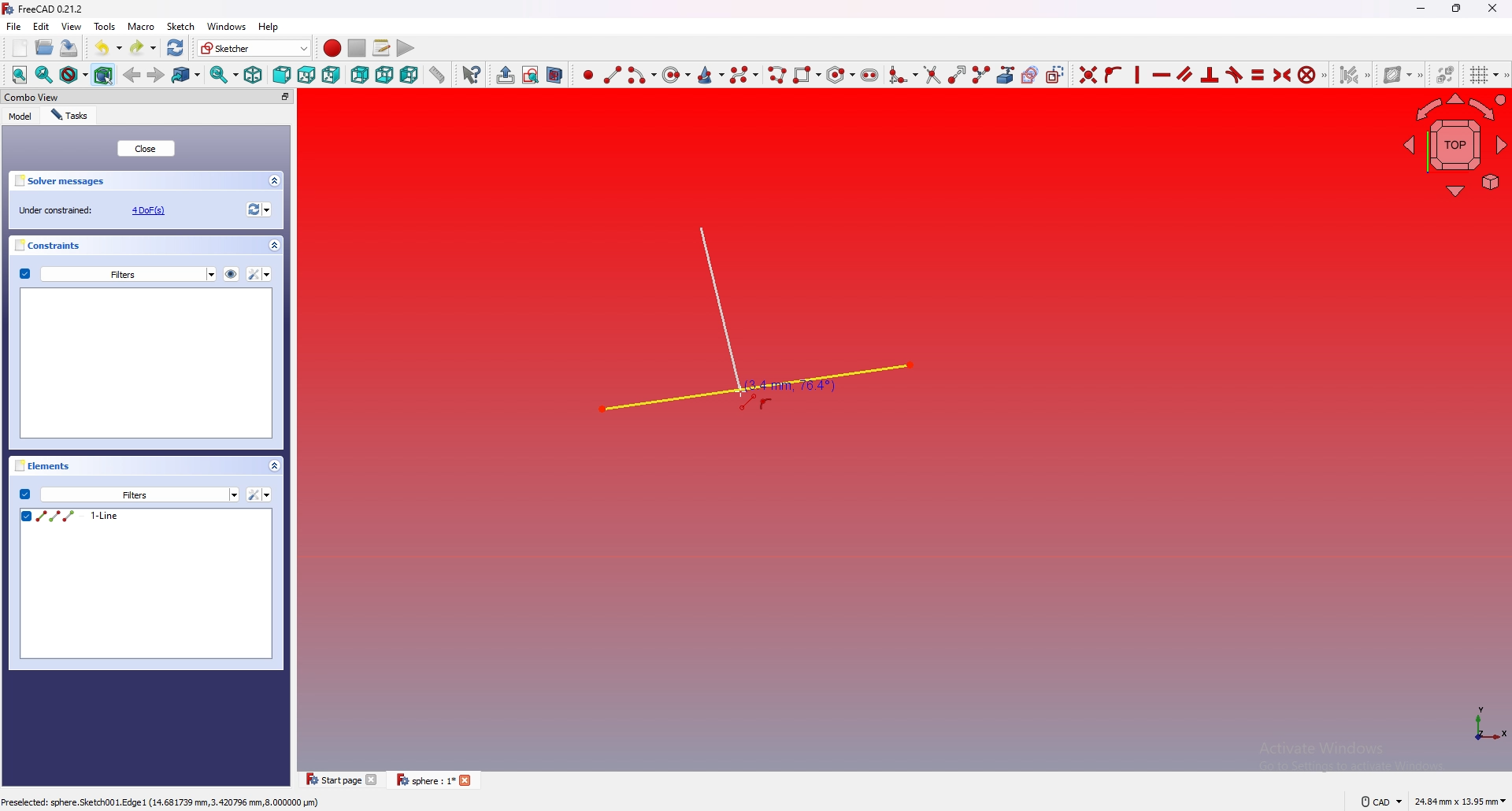 The width and height of the screenshot is (1512, 811). What do you see at coordinates (1481, 75) in the screenshot?
I see `Toggle grid` at bounding box center [1481, 75].